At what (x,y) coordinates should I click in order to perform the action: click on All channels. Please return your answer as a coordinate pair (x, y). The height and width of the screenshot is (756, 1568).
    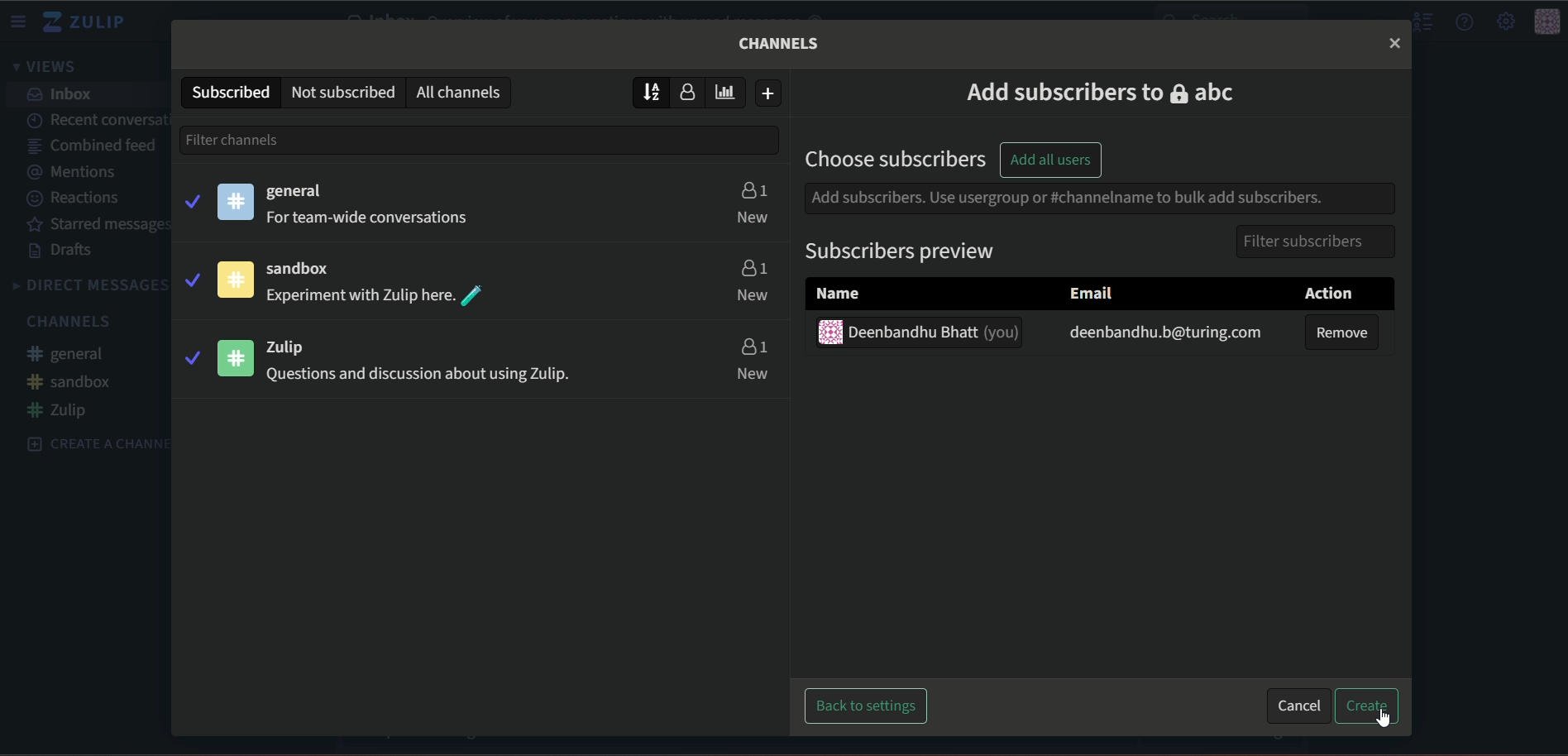
    Looking at the image, I should click on (462, 92).